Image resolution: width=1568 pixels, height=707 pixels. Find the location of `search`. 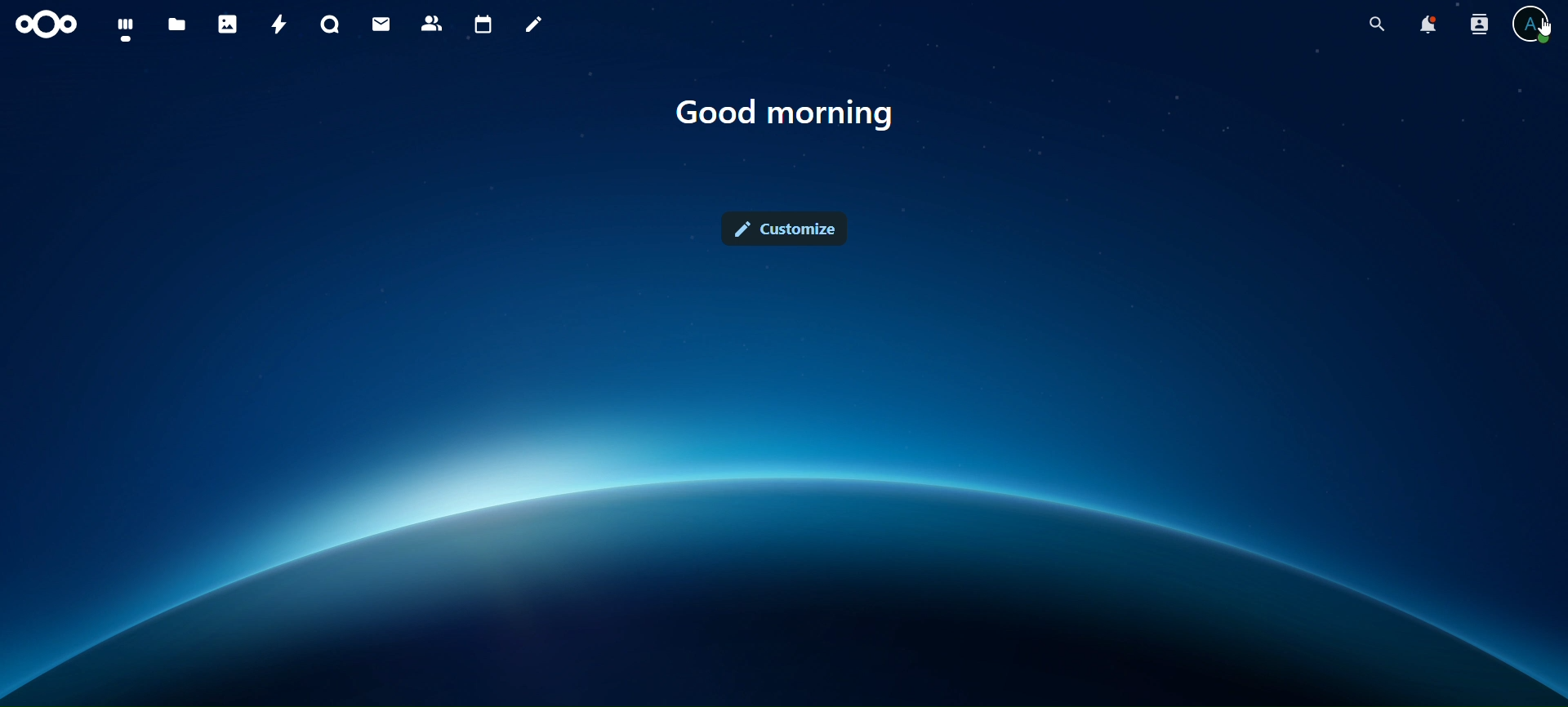

search is located at coordinates (1377, 23).